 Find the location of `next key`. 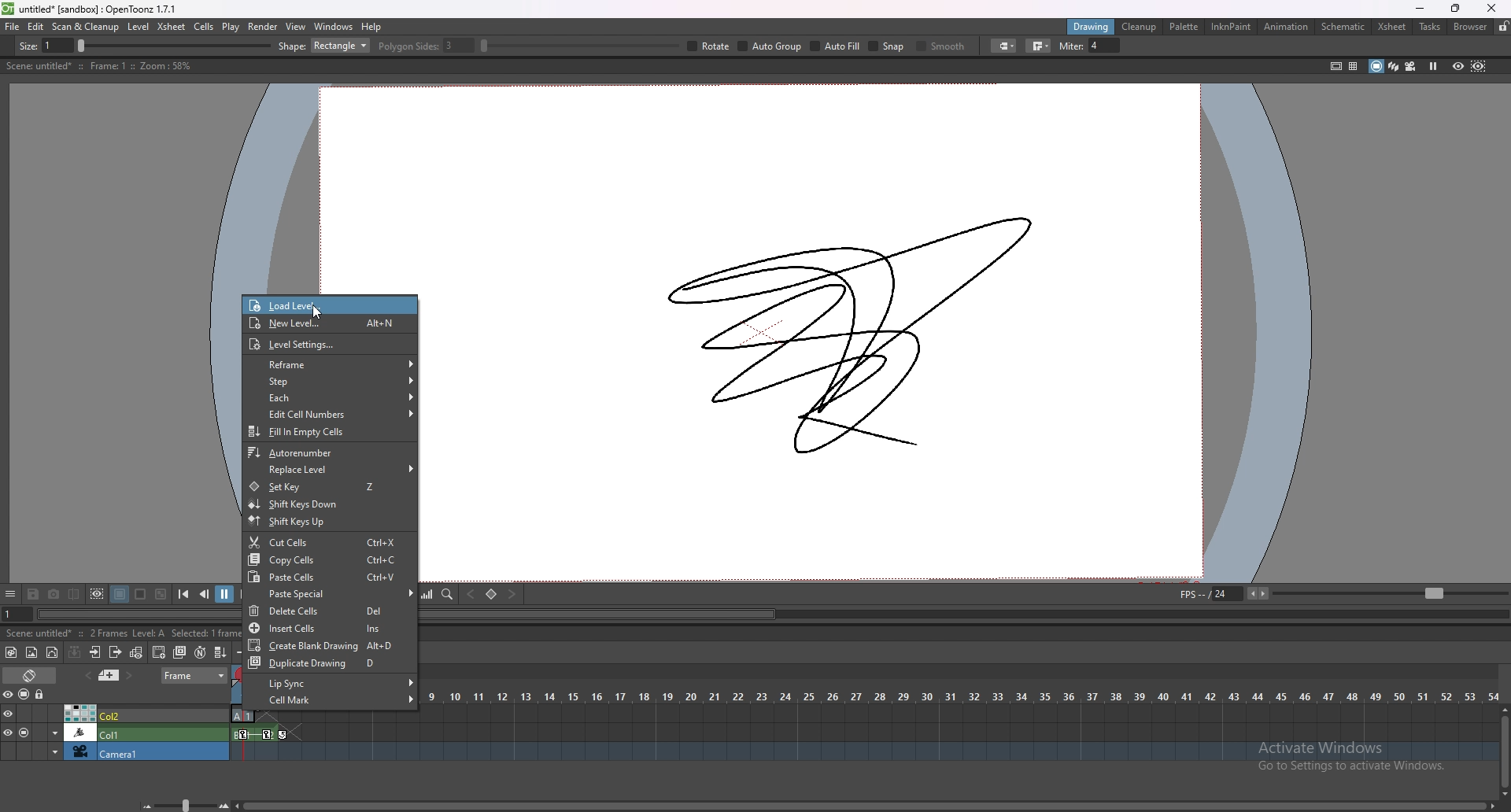

next key is located at coordinates (512, 593).